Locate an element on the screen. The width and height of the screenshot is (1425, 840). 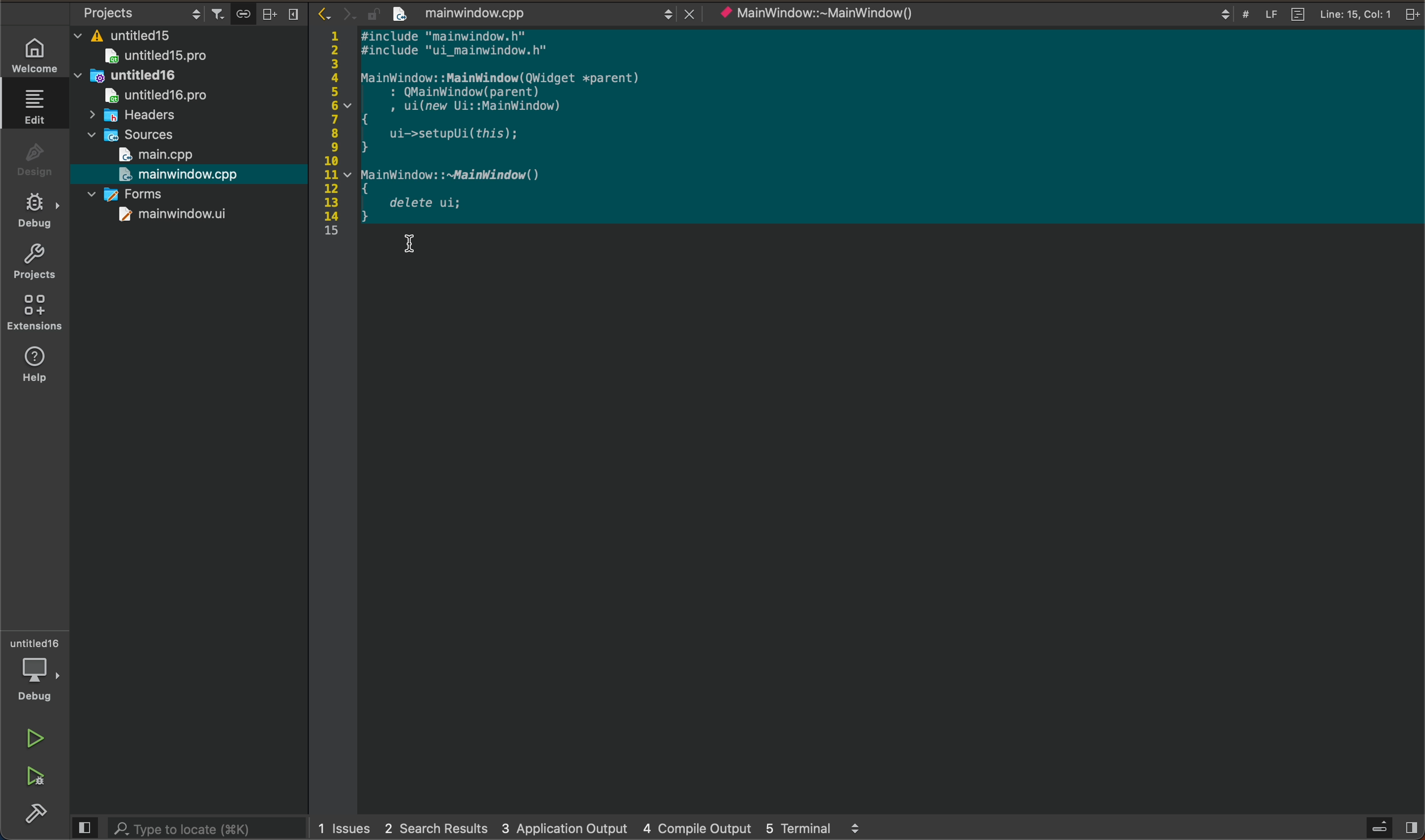
Next is located at coordinates (348, 12).